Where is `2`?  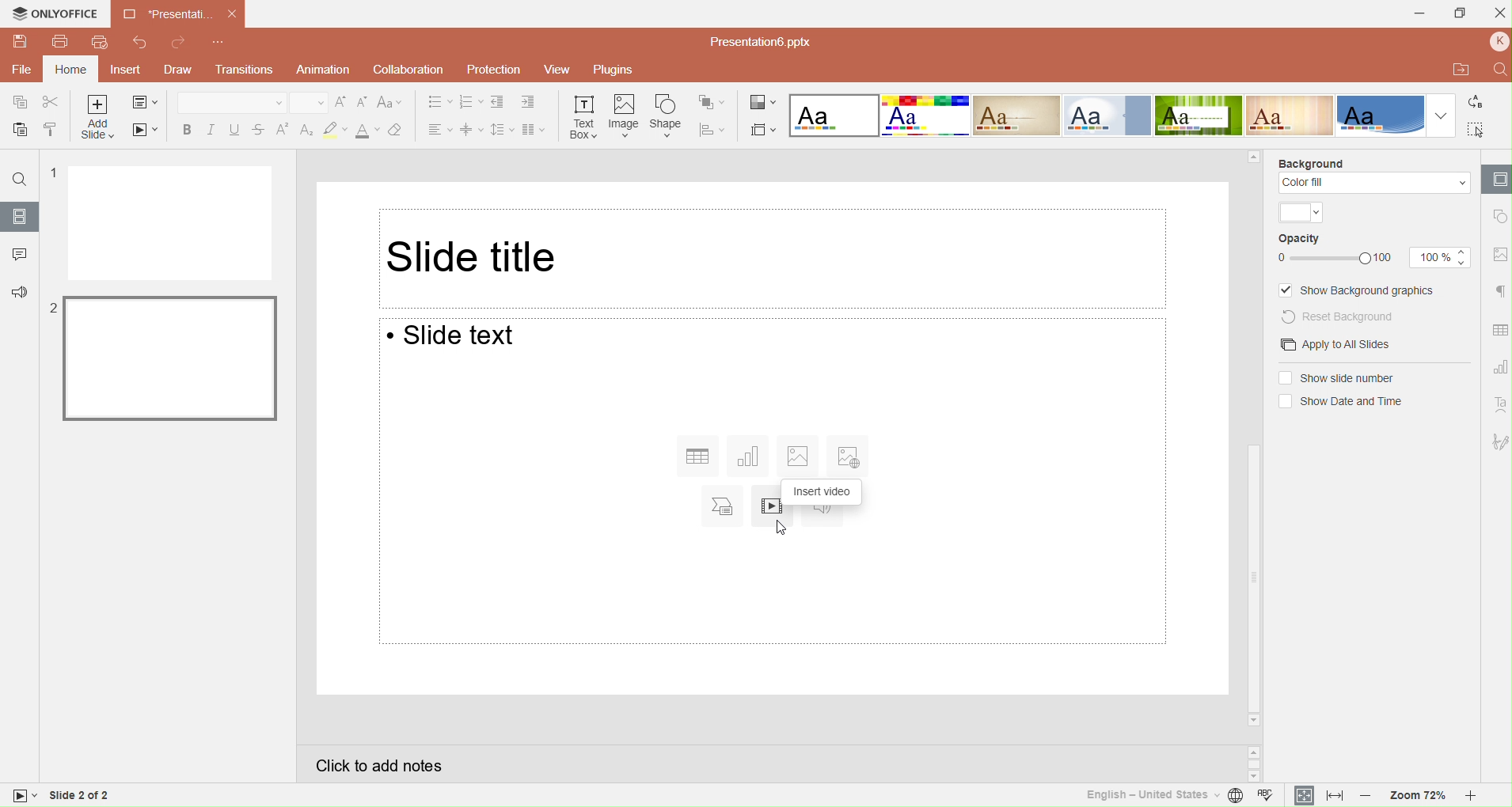
2 is located at coordinates (51, 311).